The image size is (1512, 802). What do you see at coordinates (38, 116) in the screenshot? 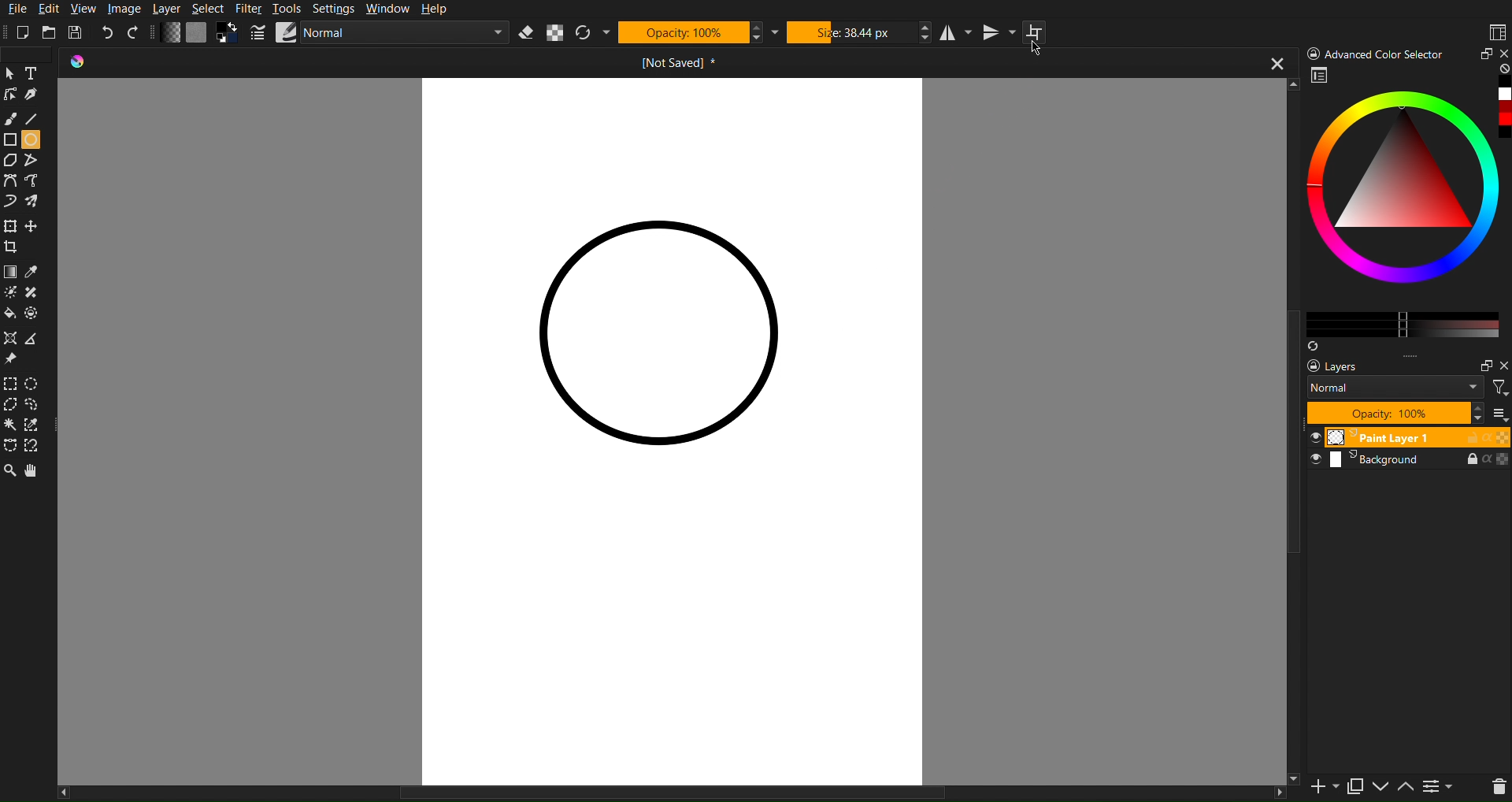
I see `Line` at bounding box center [38, 116].